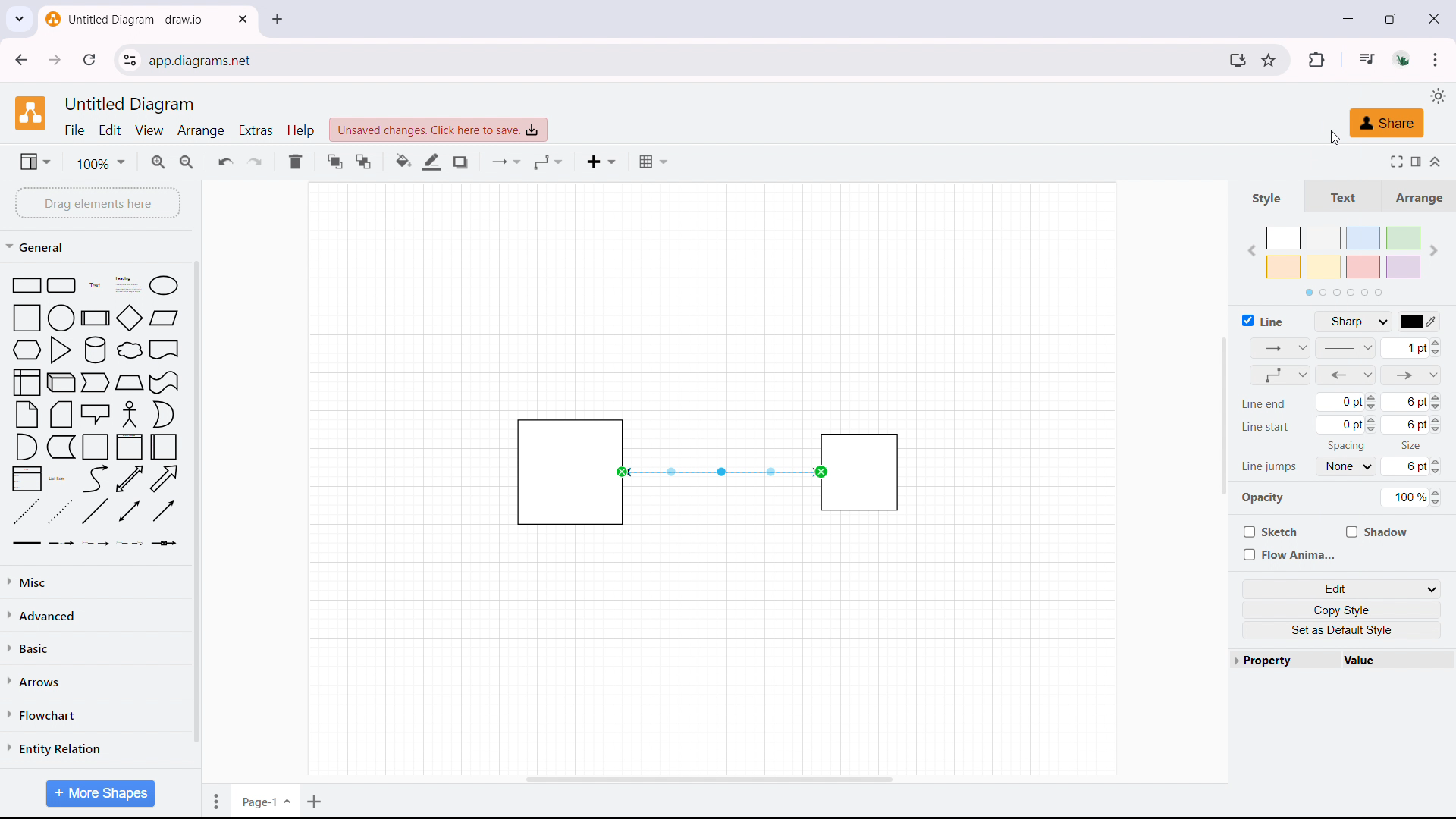  Describe the element at coordinates (1420, 321) in the screenshot. I see `line color` at that location.